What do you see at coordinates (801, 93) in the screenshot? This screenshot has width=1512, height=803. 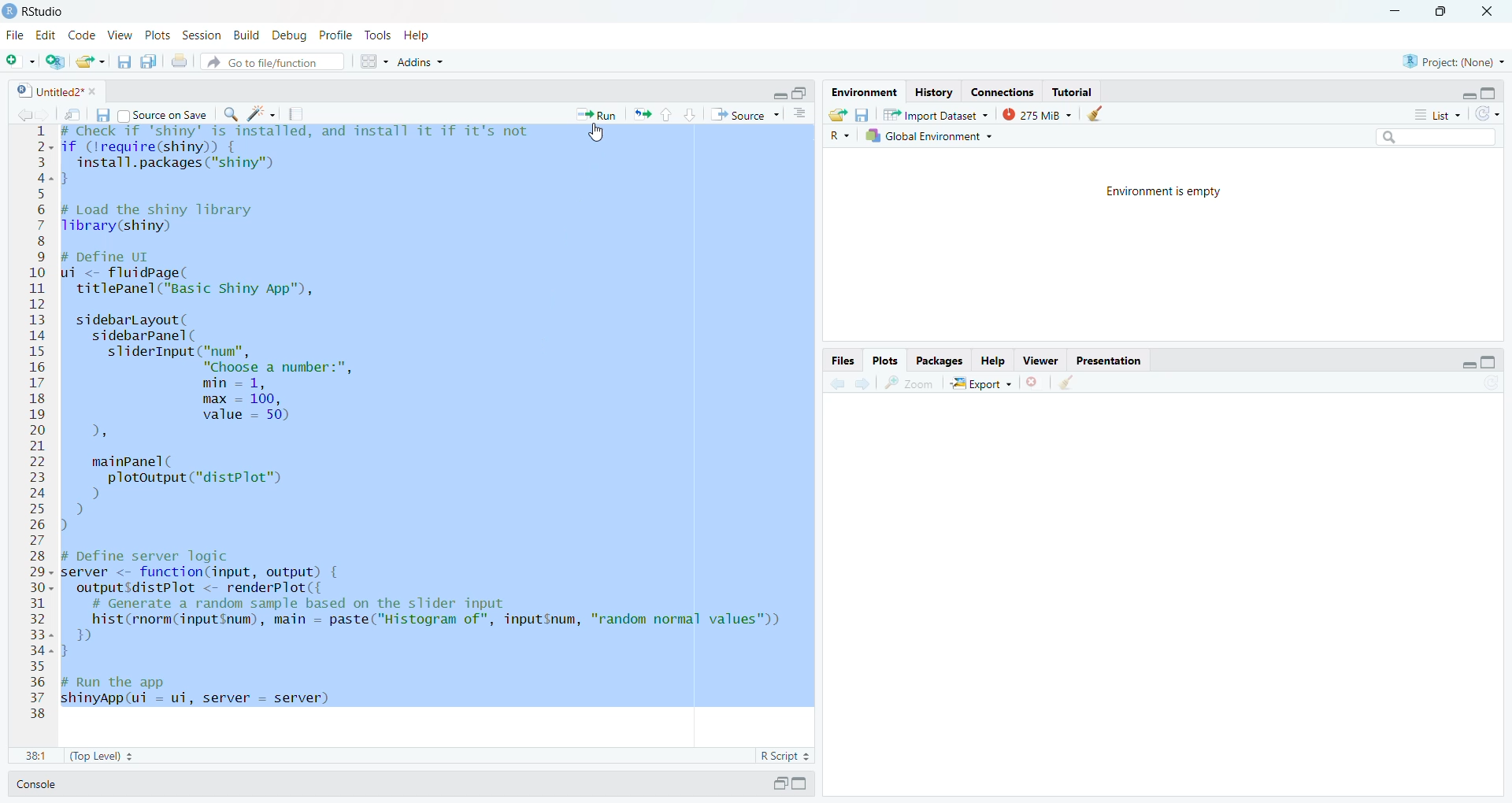 I see `resize` at bounding box center [801, 93].